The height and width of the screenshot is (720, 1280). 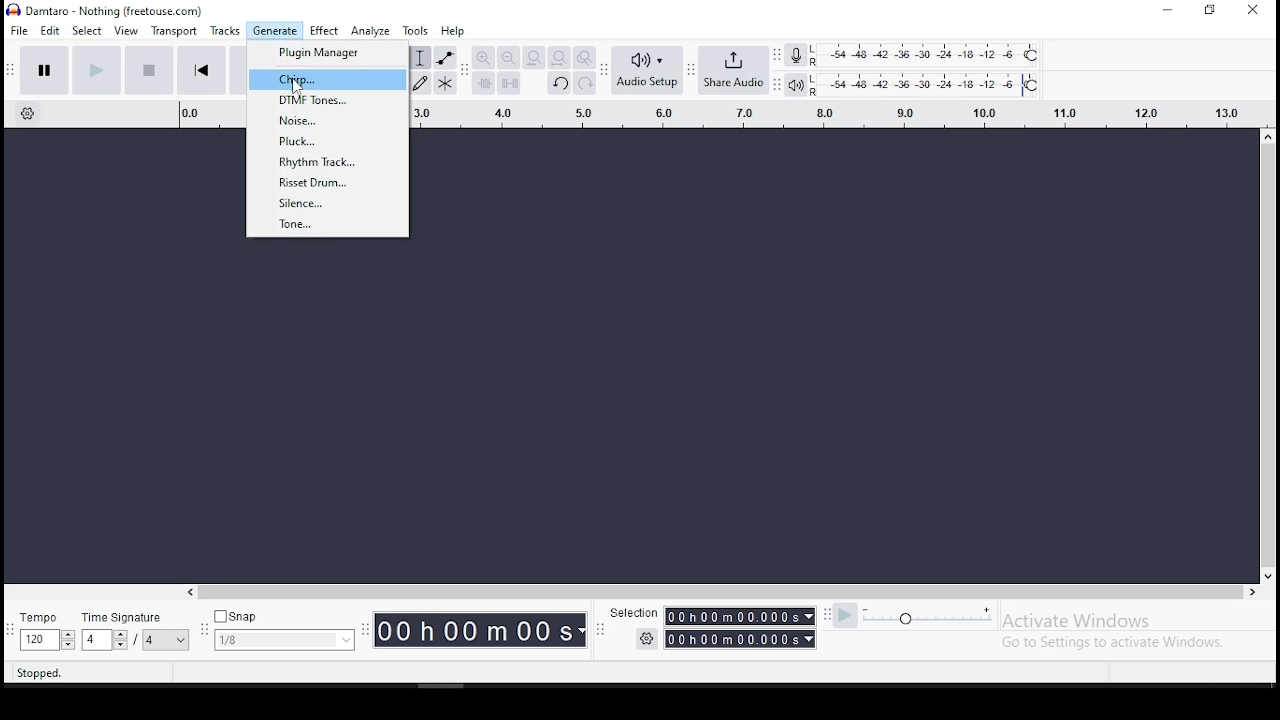 I want to click on playback meter, so click(x=798, y=84).